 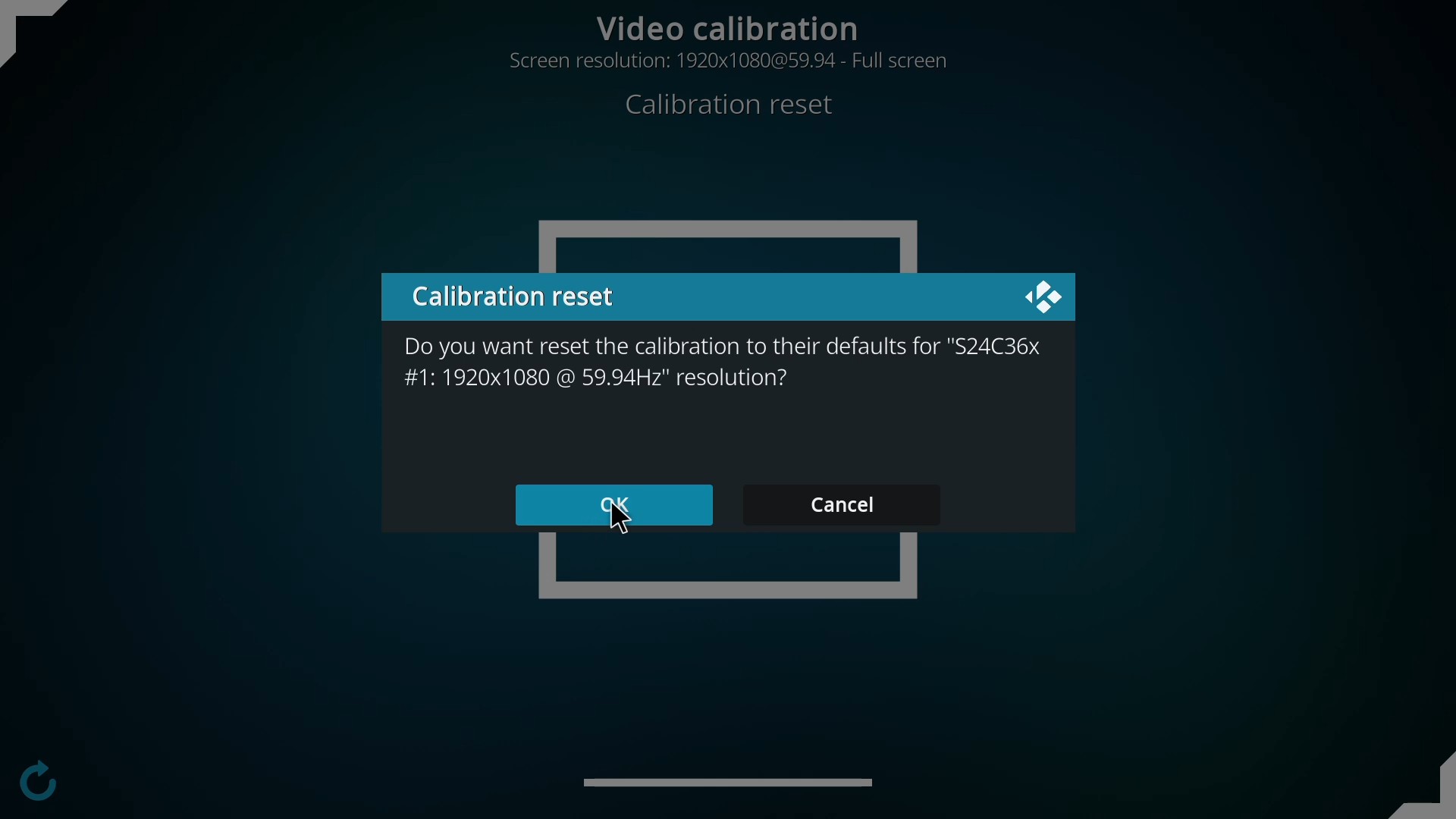 I want to click on adjust subtitles, so click(x=739, y=781).